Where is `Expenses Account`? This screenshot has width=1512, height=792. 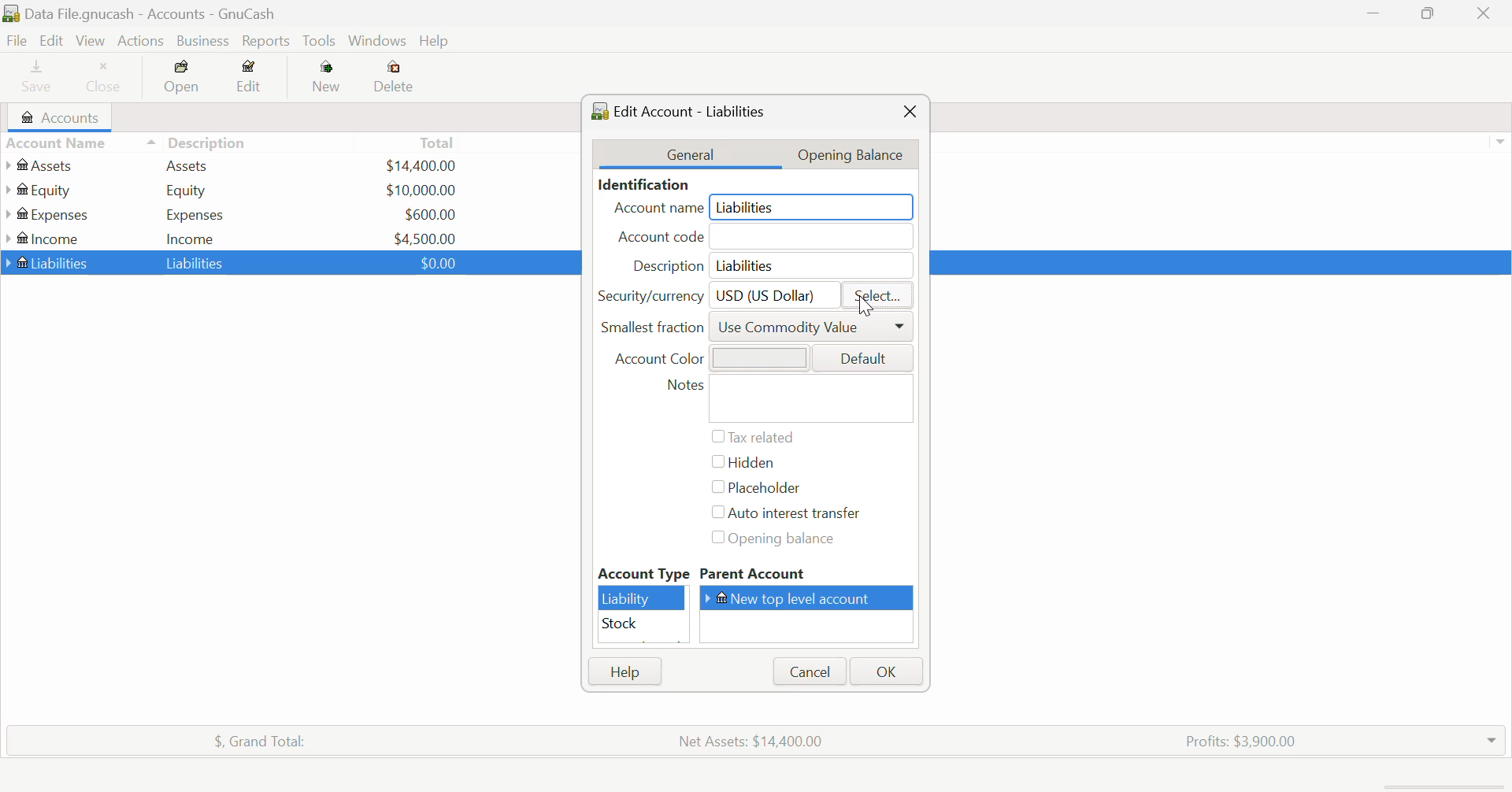
Expenses Account is located at coordinates (46, 214).